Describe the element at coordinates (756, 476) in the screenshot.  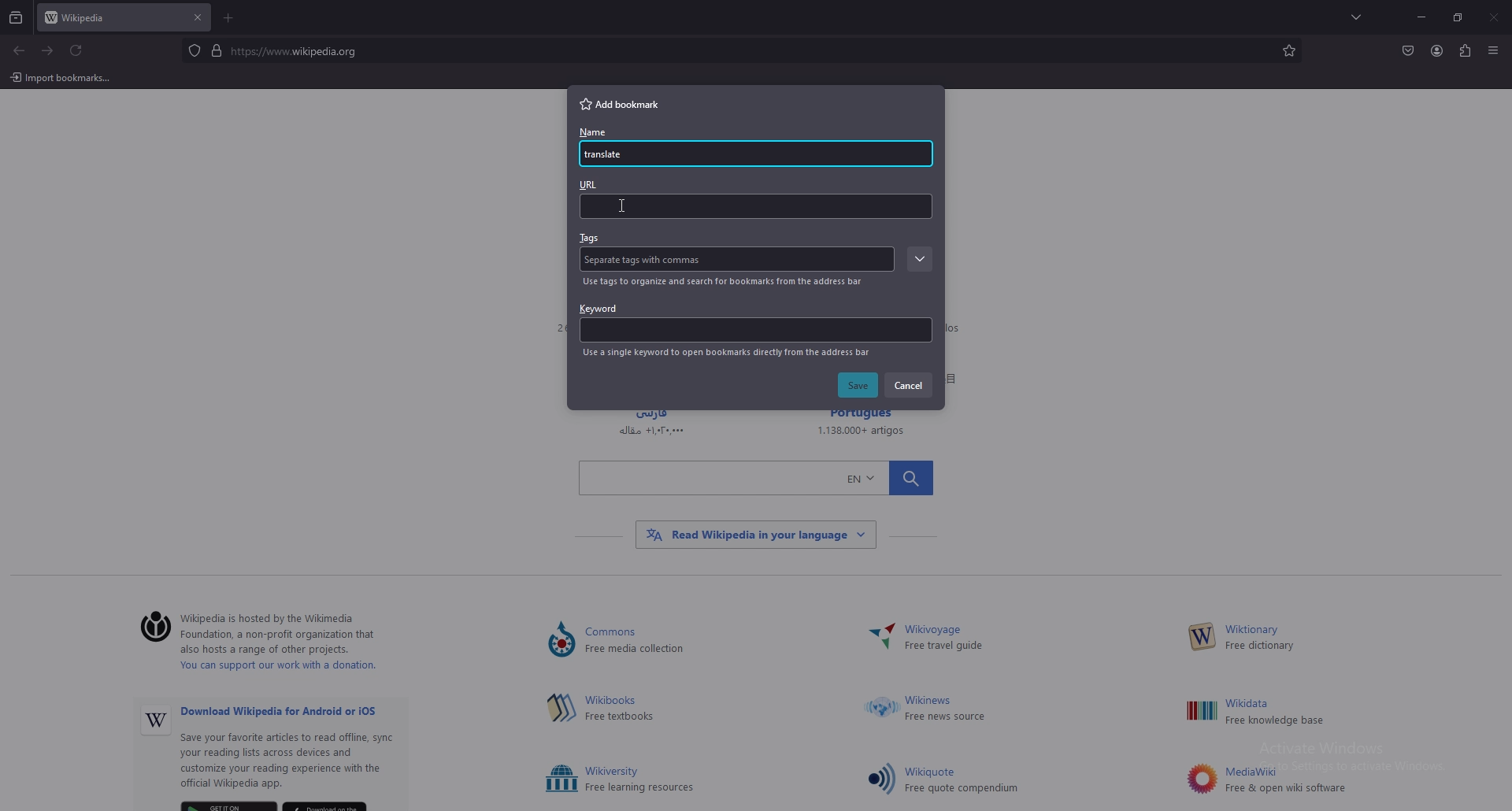
I see `` at that location.